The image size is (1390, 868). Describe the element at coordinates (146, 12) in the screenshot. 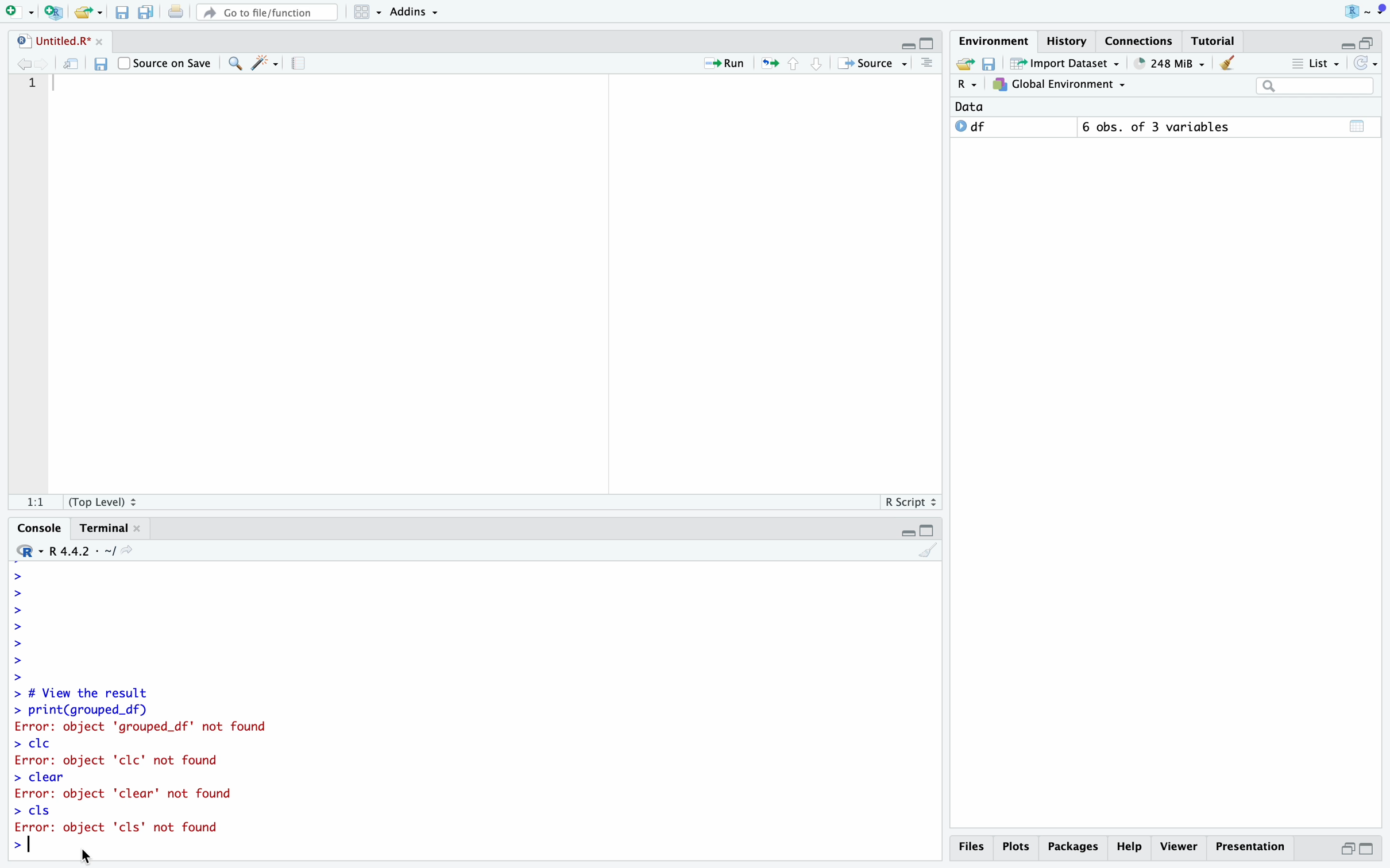

I see `Save all open files` at that location.